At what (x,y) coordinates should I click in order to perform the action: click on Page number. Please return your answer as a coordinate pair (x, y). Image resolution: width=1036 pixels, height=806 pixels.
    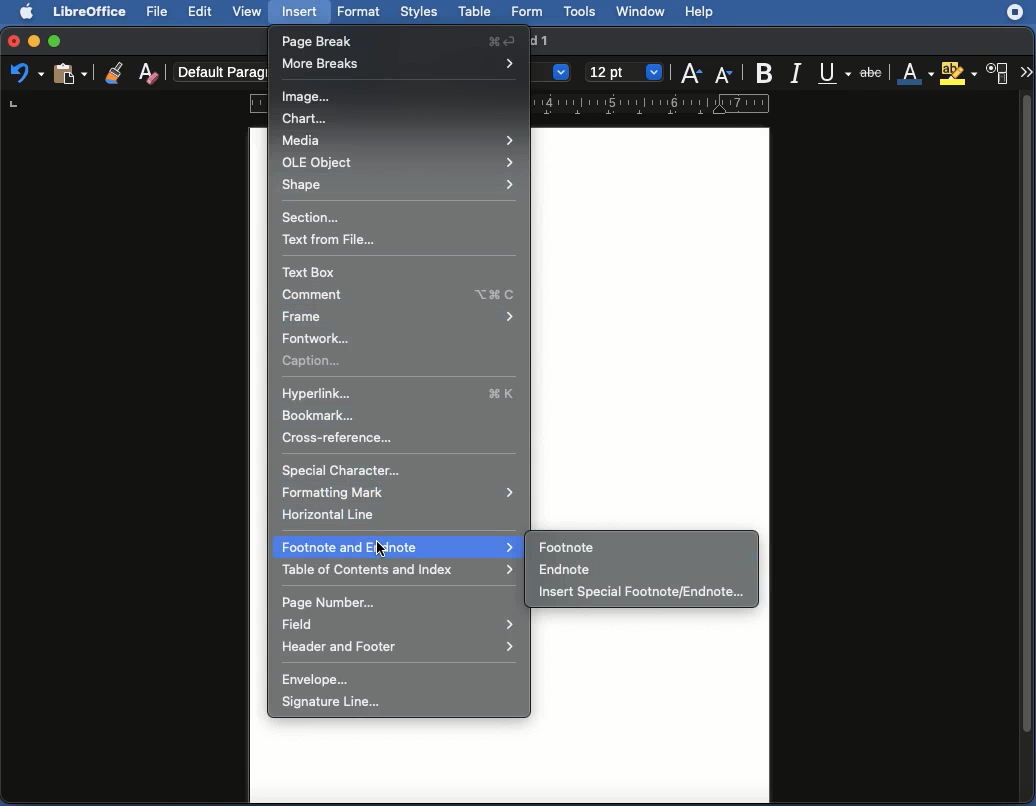
    Looking at the image, I should click on (337, 603).